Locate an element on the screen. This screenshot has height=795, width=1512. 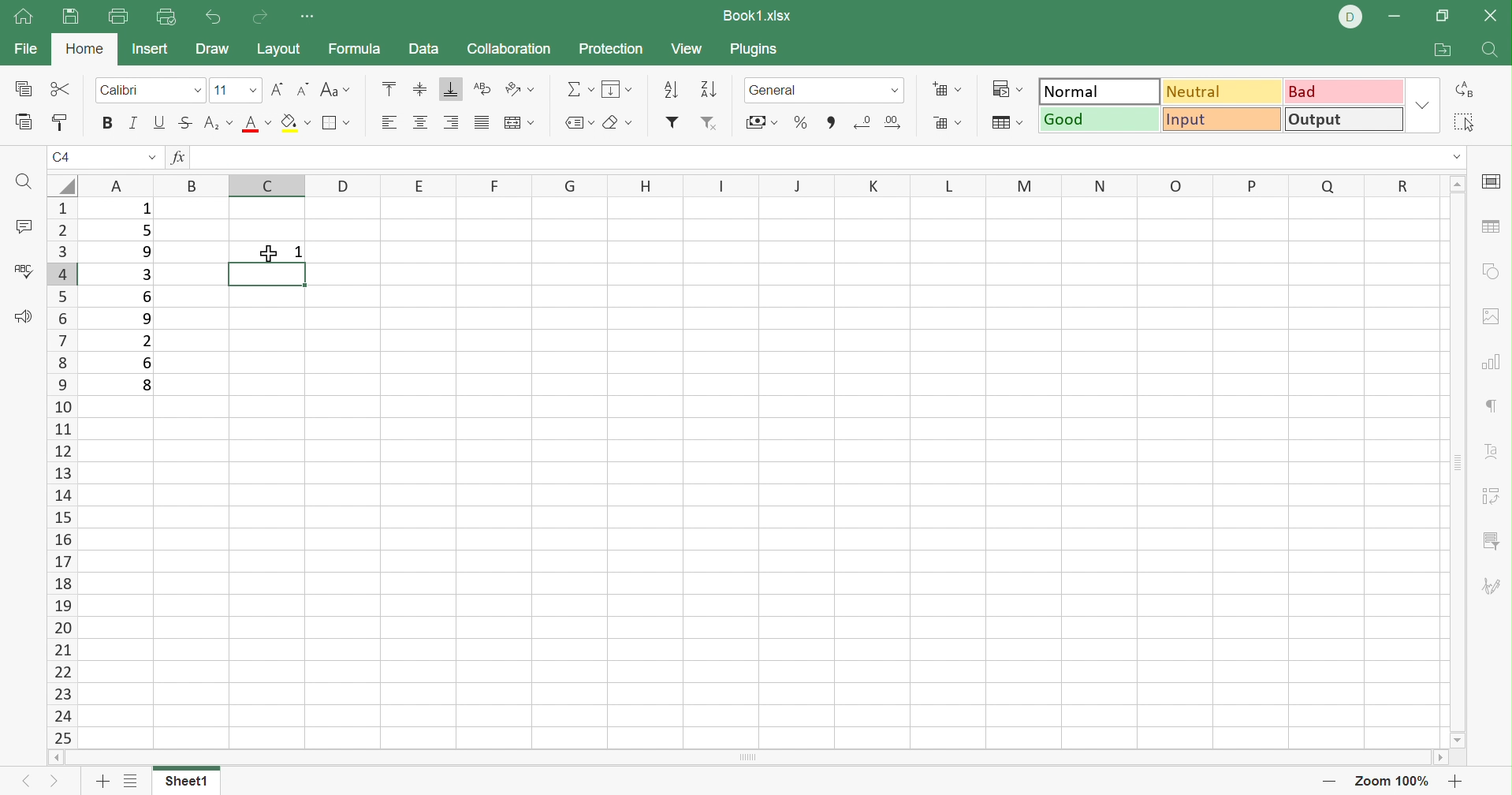
Merge and center is located at coordinates (520, 123).